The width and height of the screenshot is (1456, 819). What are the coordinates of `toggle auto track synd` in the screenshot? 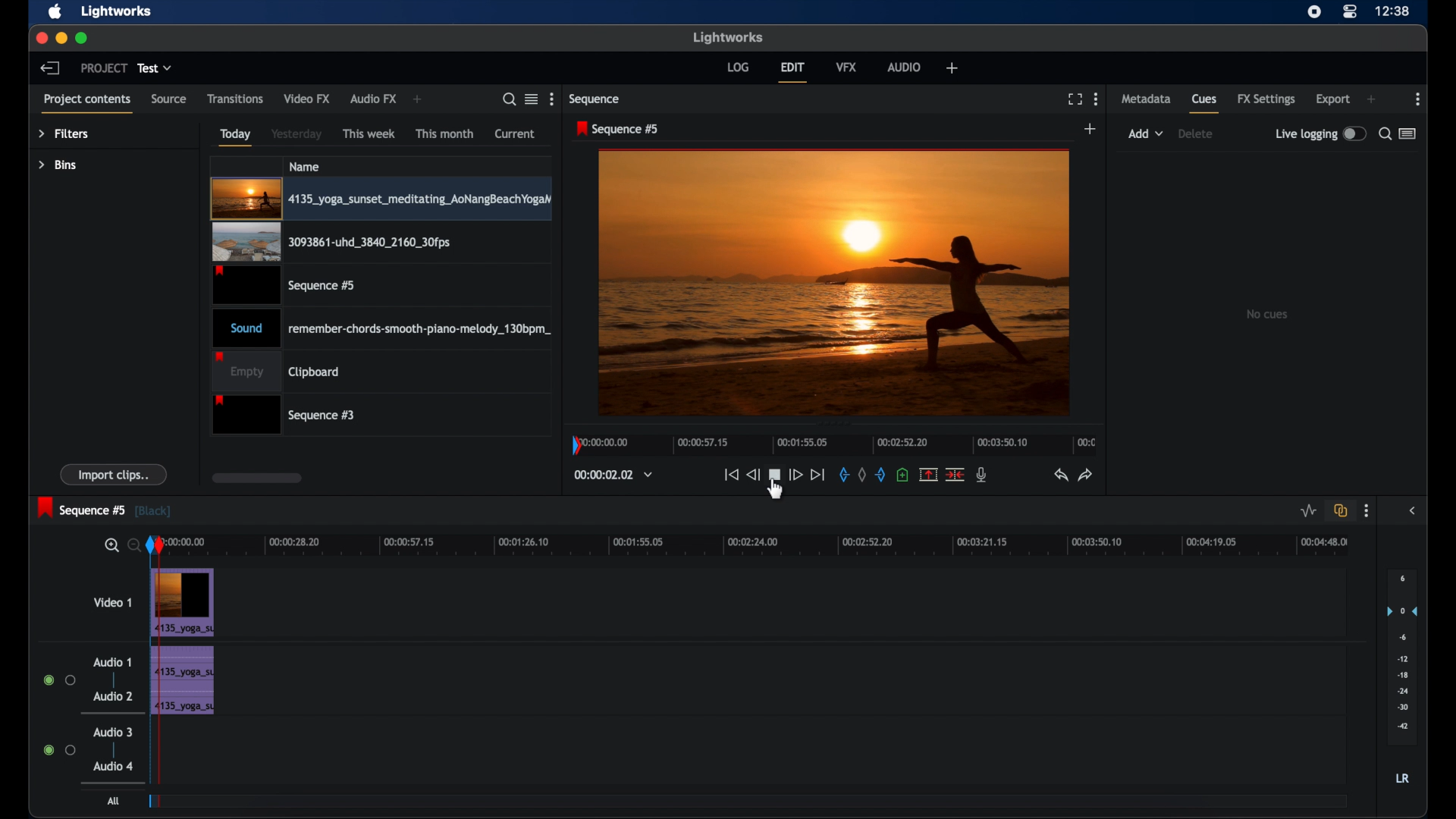 It's located at (1341, 510).